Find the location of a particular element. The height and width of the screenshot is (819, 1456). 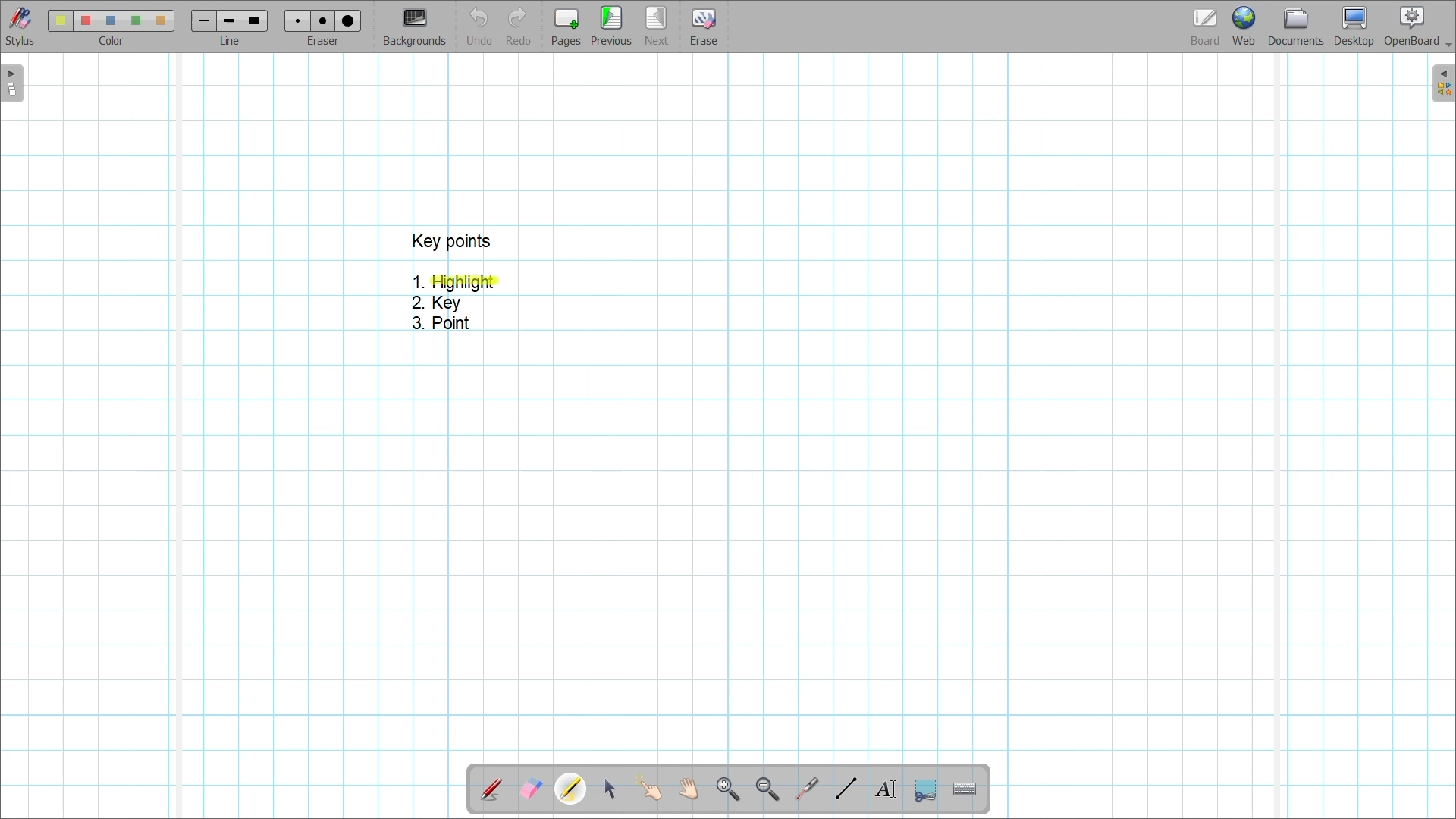

Undo is located at coordinates (480, 26).